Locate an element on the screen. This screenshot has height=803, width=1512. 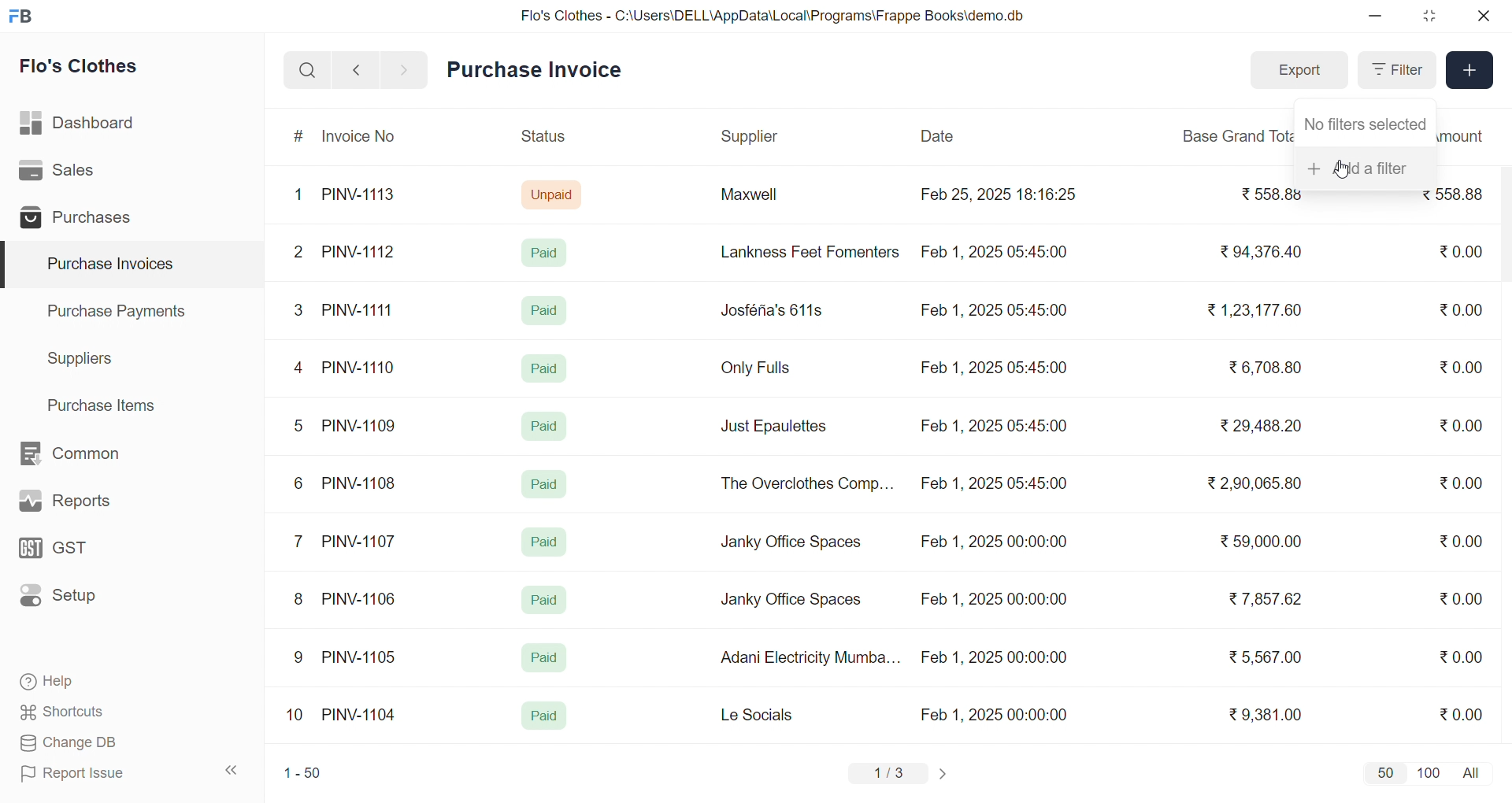
Janky Office Spaces is located at coordinates (791, 601).